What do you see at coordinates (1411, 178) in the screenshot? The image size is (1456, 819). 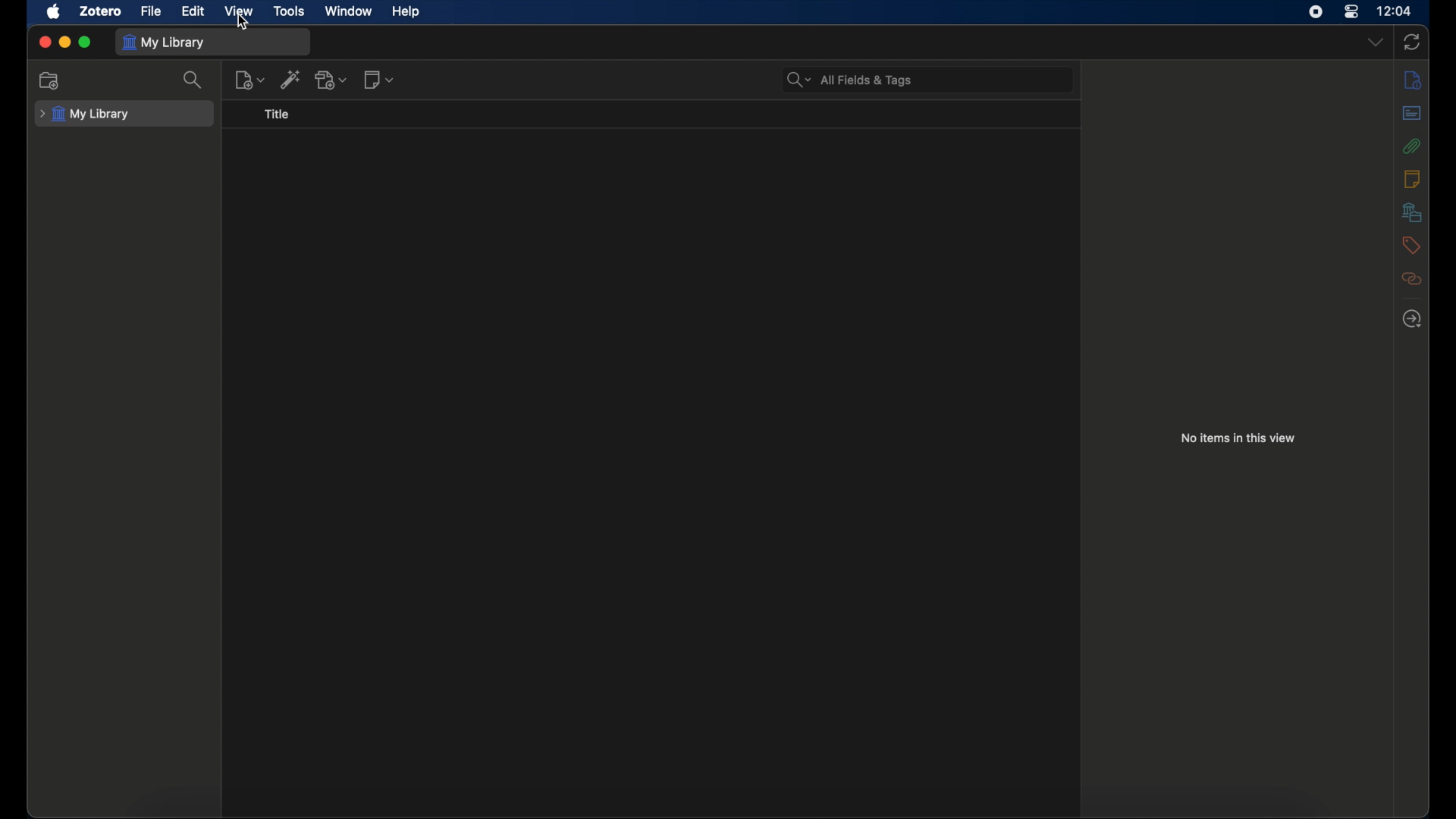 I see `notes` at bounding box center [1411, 178].